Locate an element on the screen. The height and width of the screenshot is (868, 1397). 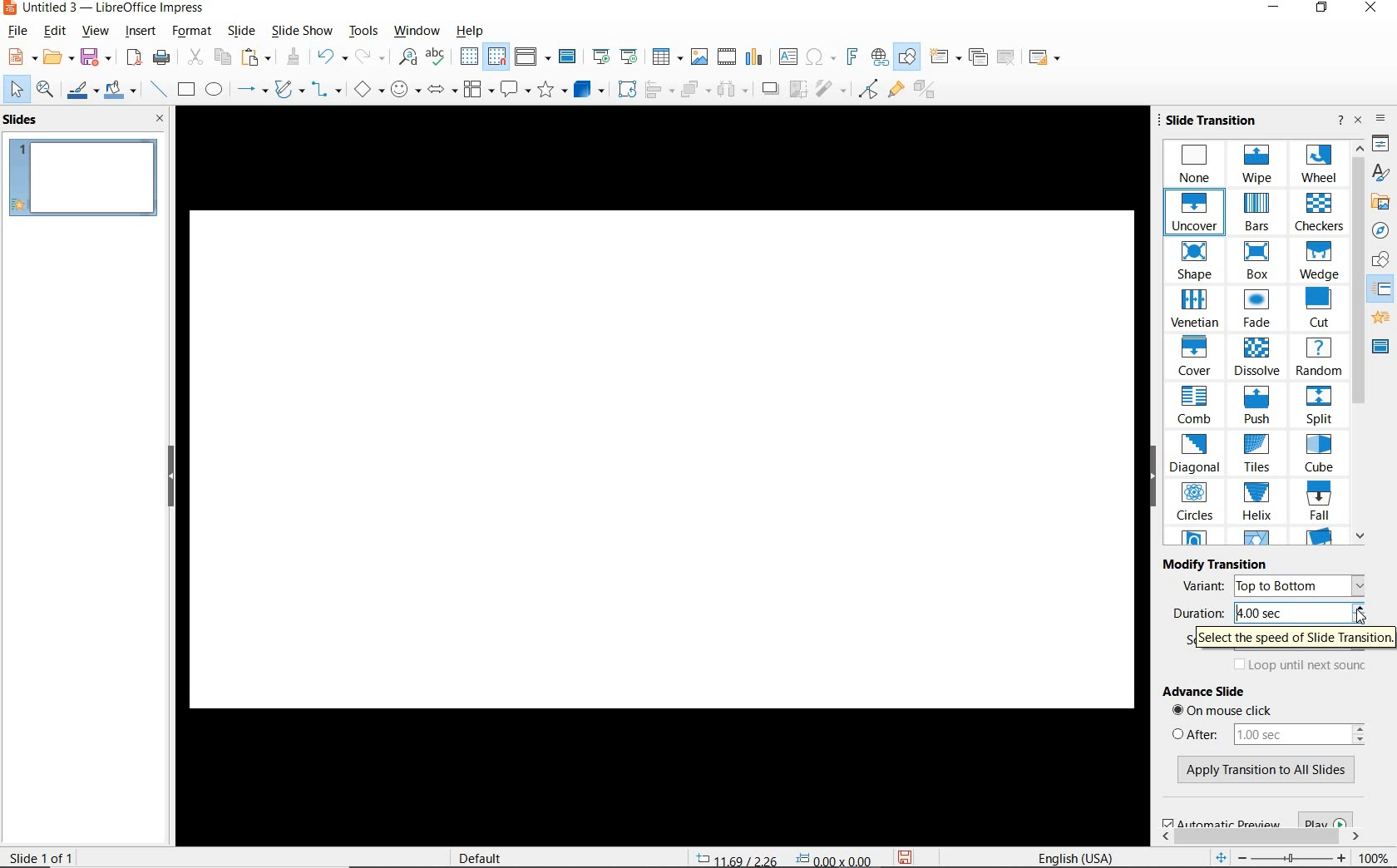
INSERT IMAGE is located at coordinates (701, 57).